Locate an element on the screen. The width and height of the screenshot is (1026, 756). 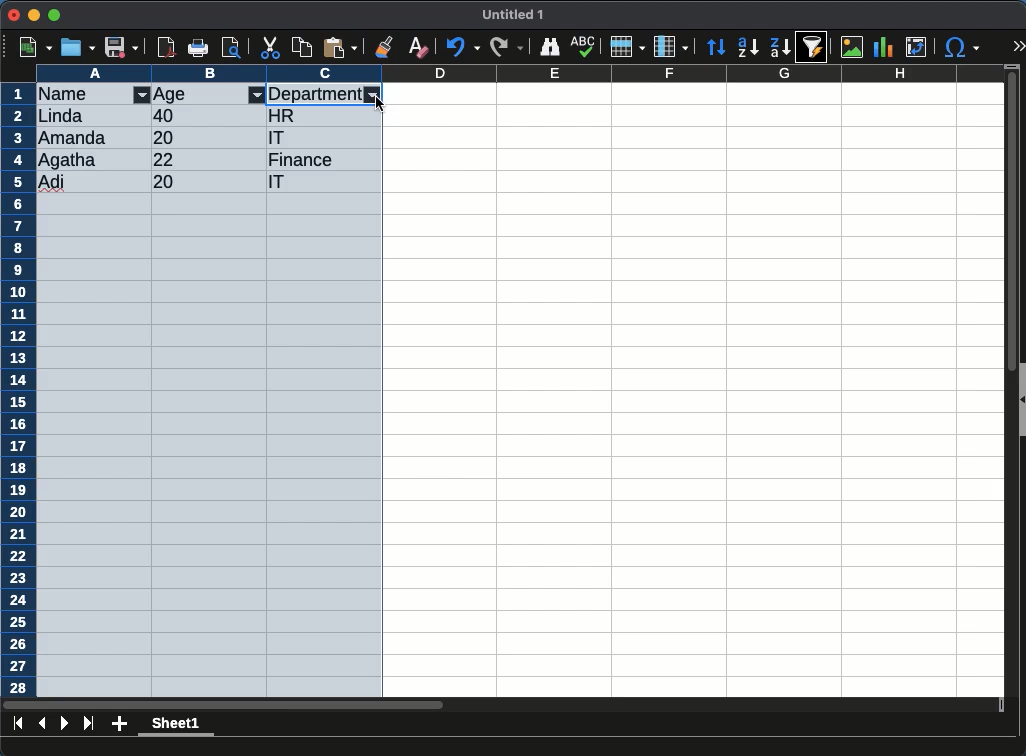
columns is located at coordinates (671, 45).